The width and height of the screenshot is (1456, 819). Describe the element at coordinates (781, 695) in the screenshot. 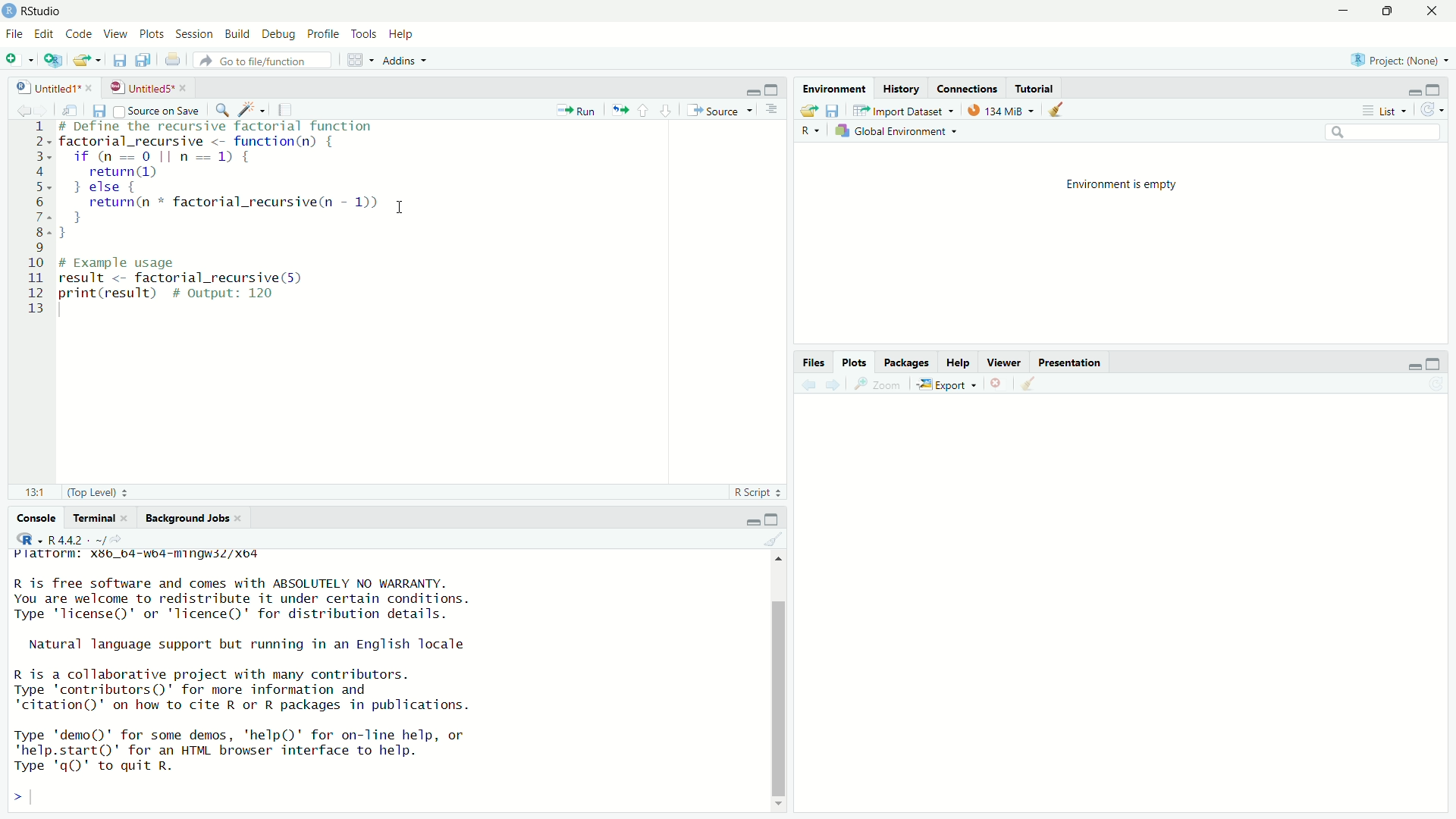

I see `Scrollbar` at that location.